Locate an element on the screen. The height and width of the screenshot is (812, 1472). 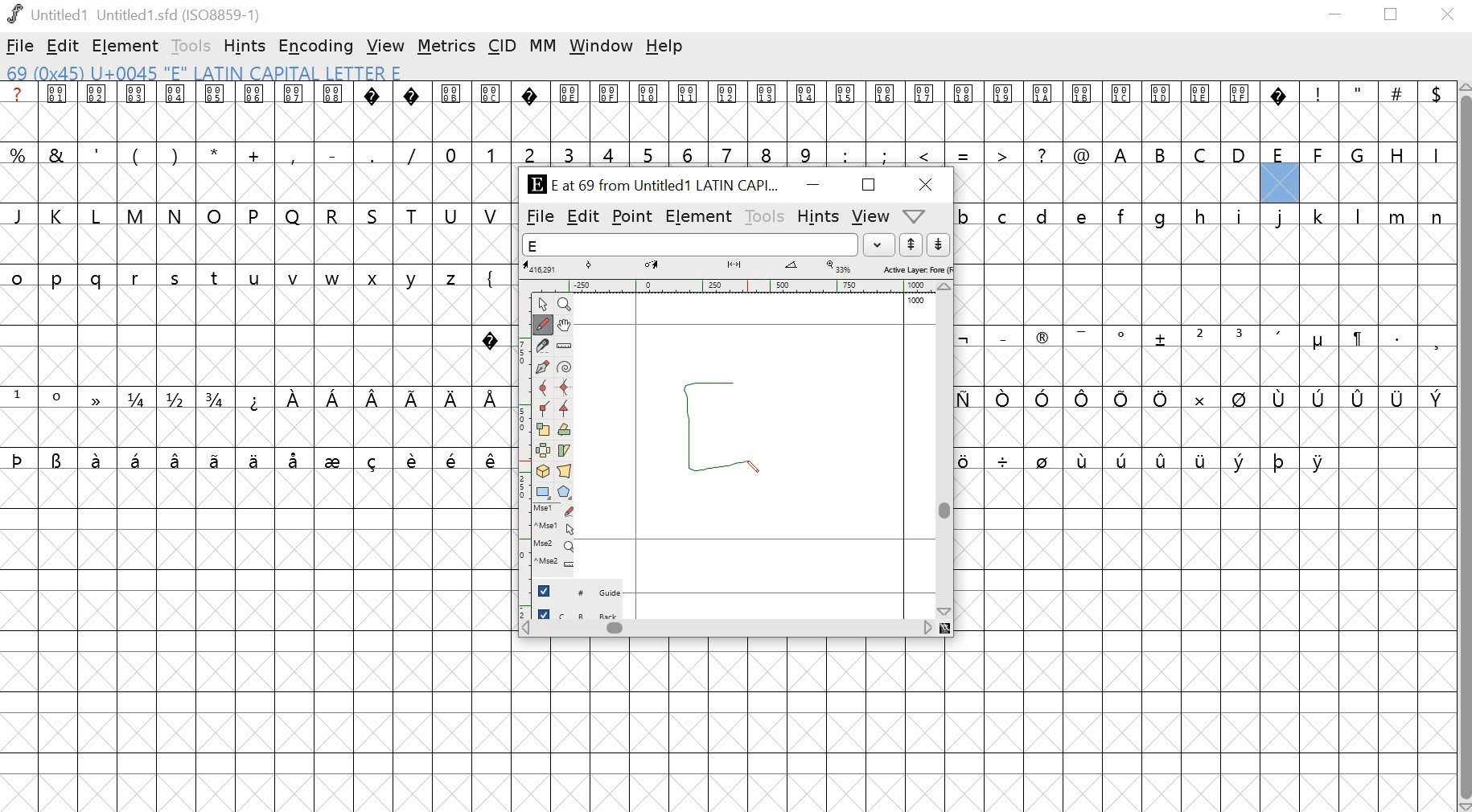
Flip is located at coordinates (543, 451).